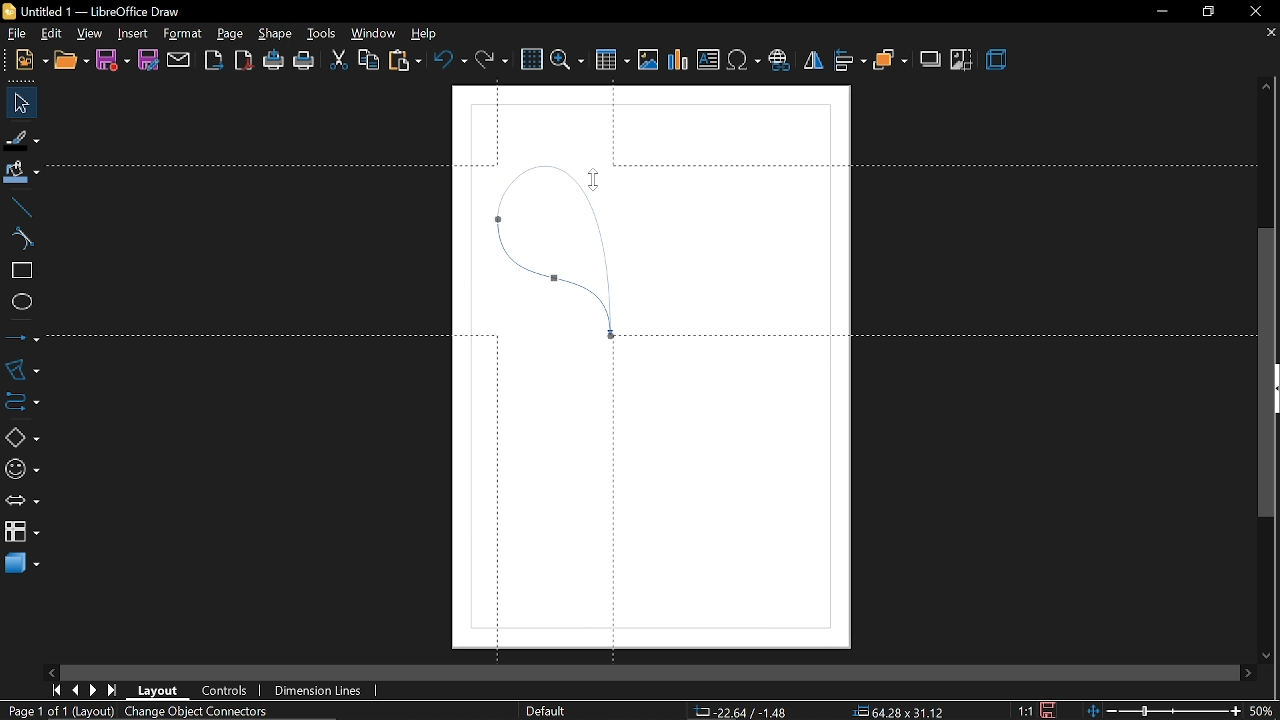 Image resolution: width=1280 pixels, height=720 pixels. What do you see at coordinates (319, 33) in the screenshot?
I see `tools` at bounding box center [319, 33].